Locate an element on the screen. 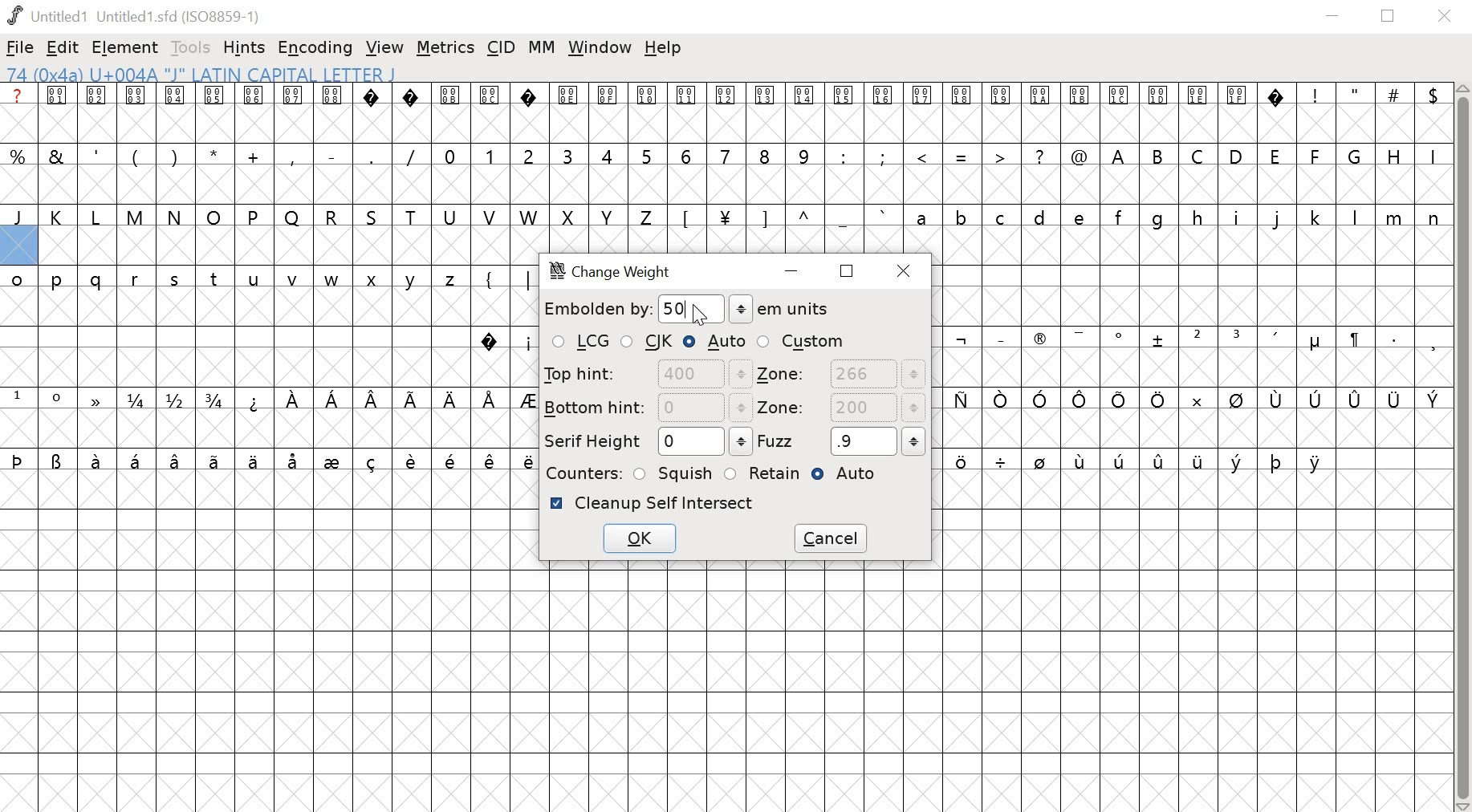 The width and height of the screenshot is (1472, 812). BOTTOM HINT is located at coordinates (647, 407).